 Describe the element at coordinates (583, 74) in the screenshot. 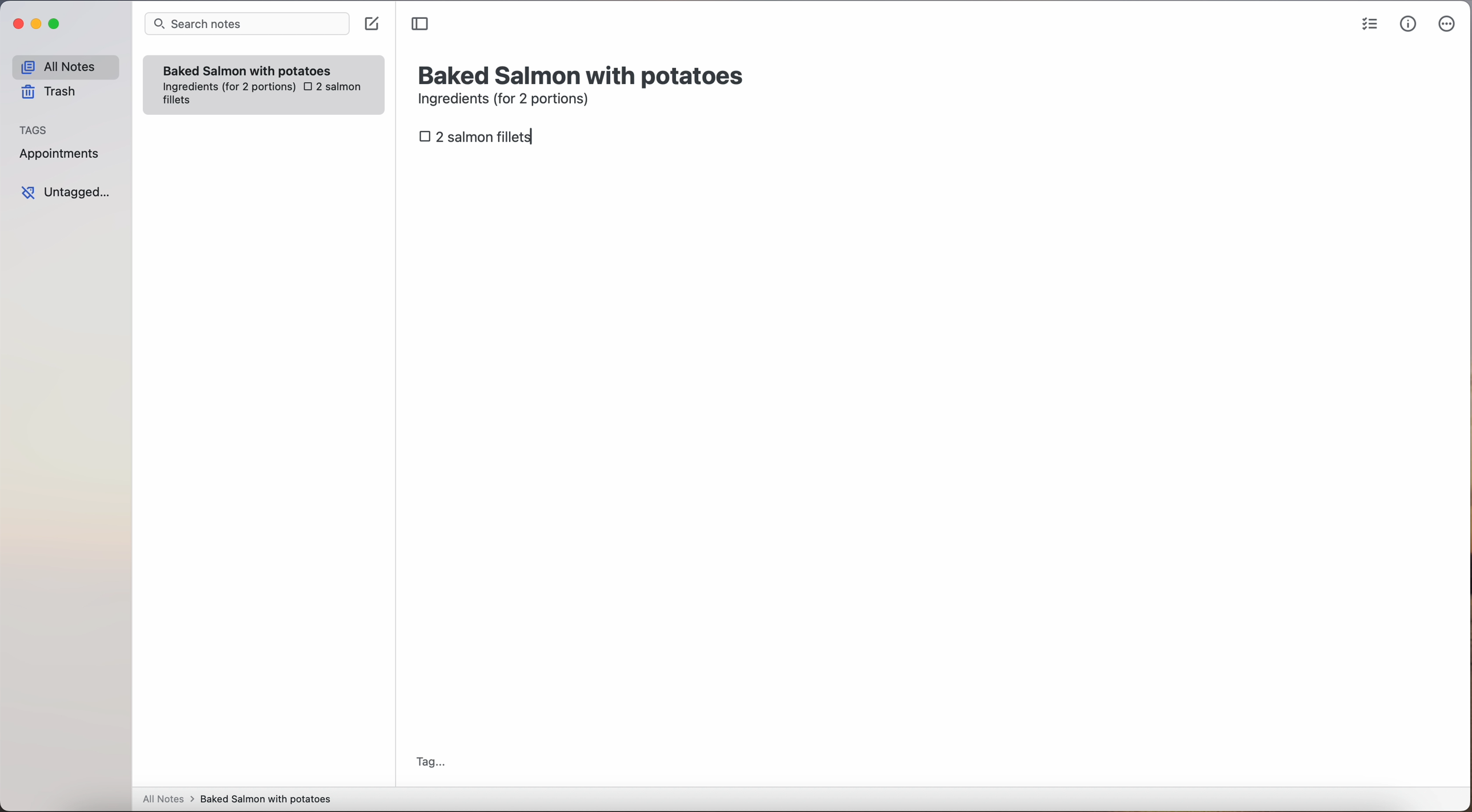

I see `title` at that location.